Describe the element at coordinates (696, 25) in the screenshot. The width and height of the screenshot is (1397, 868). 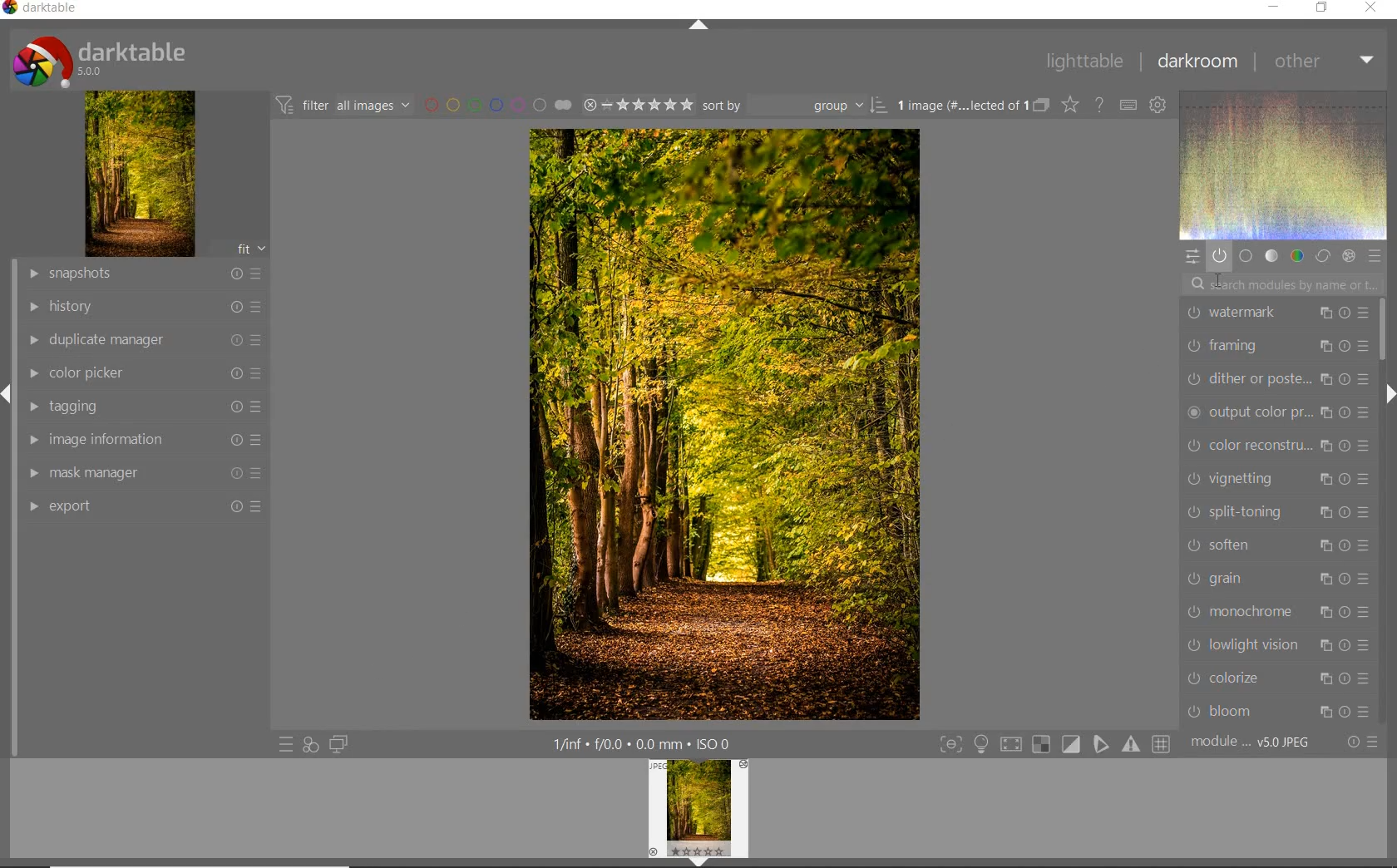
I see `expand/collapse` at that location.